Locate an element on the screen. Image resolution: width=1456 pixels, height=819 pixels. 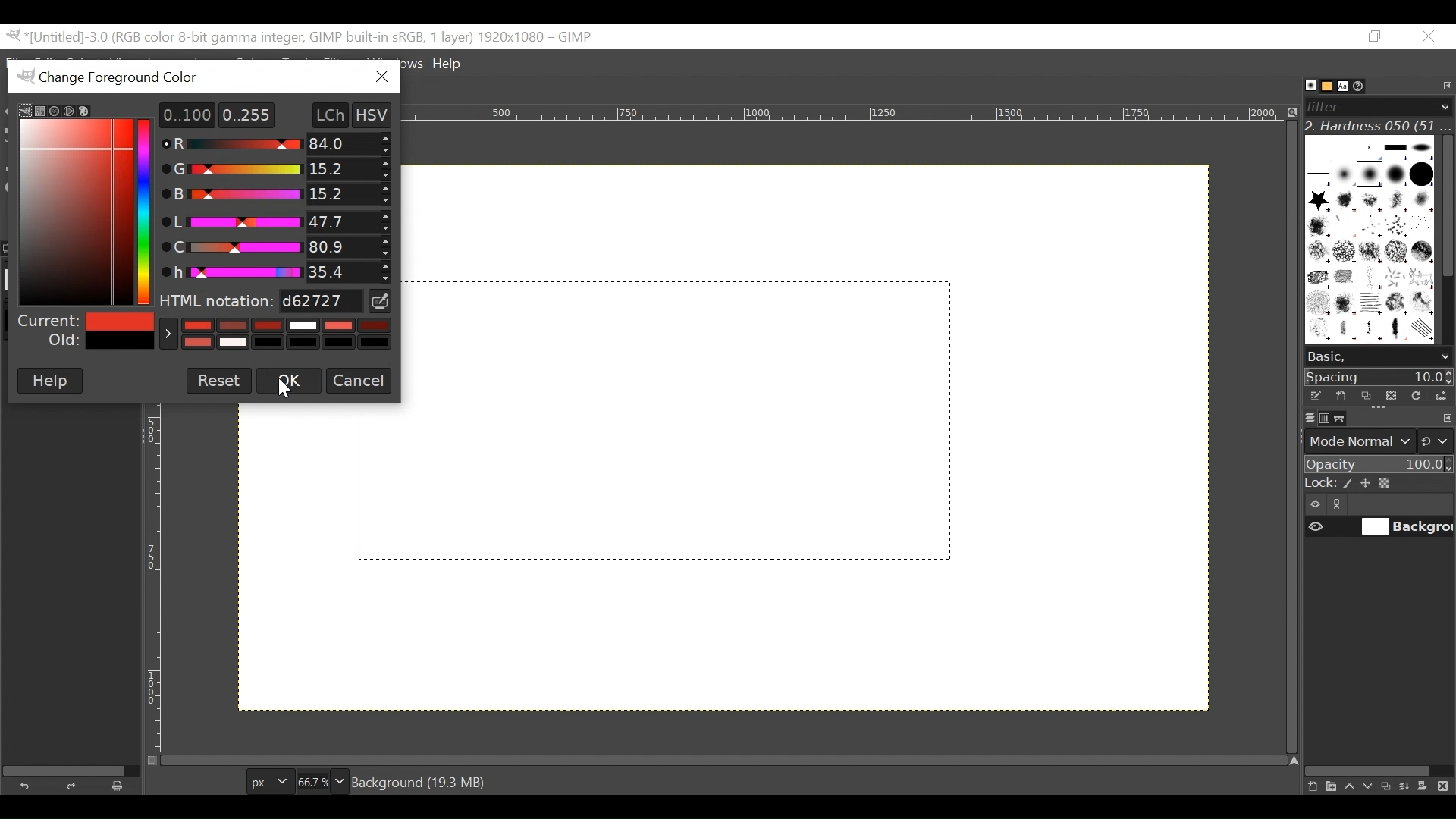
scroll down is located at coordinates (1445, 357).